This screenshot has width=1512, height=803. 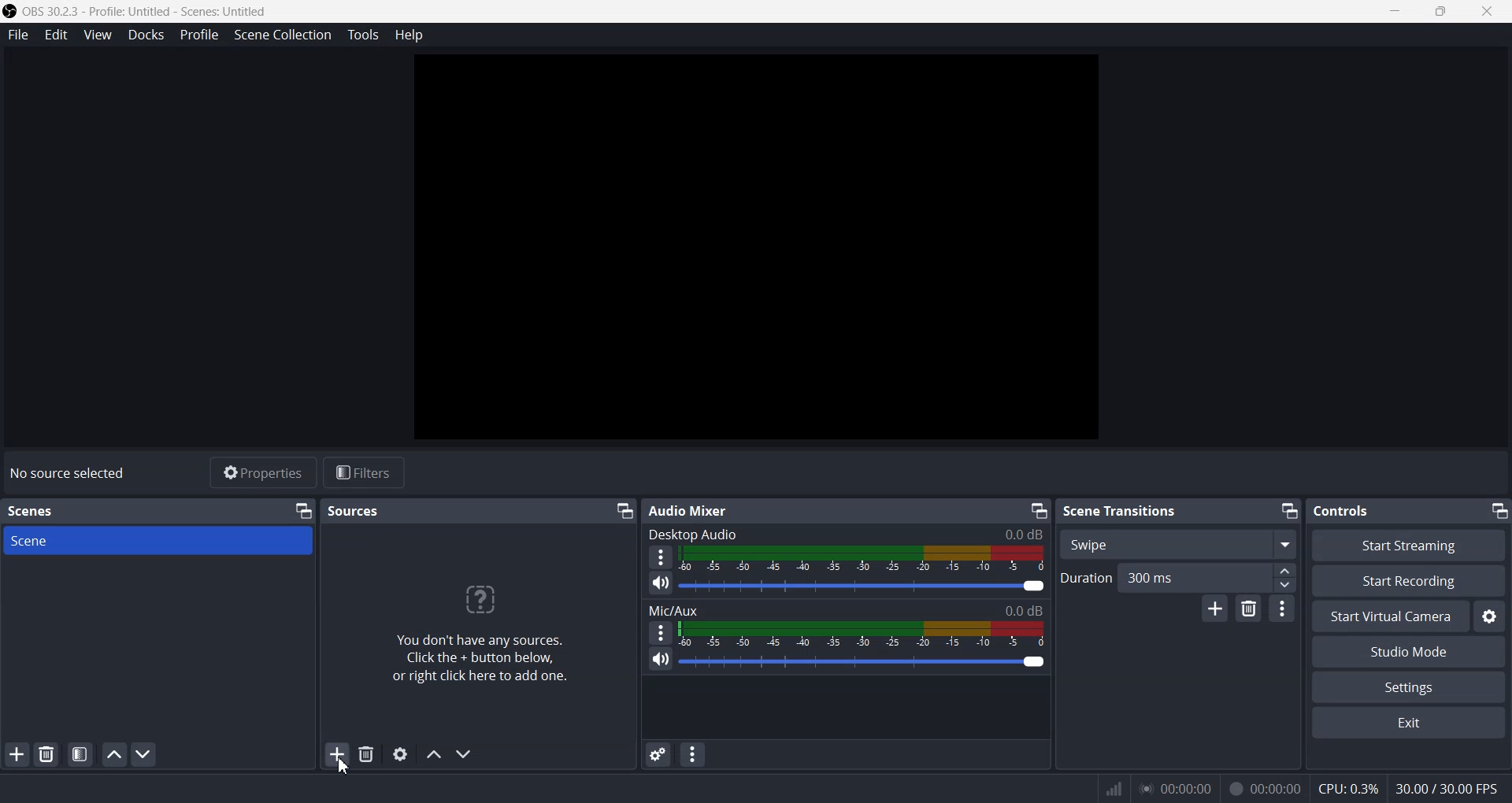 What do you see at coordinates (1178, 577) in the screenshot?
I see `Duration` at bounding box center [1178, 577].